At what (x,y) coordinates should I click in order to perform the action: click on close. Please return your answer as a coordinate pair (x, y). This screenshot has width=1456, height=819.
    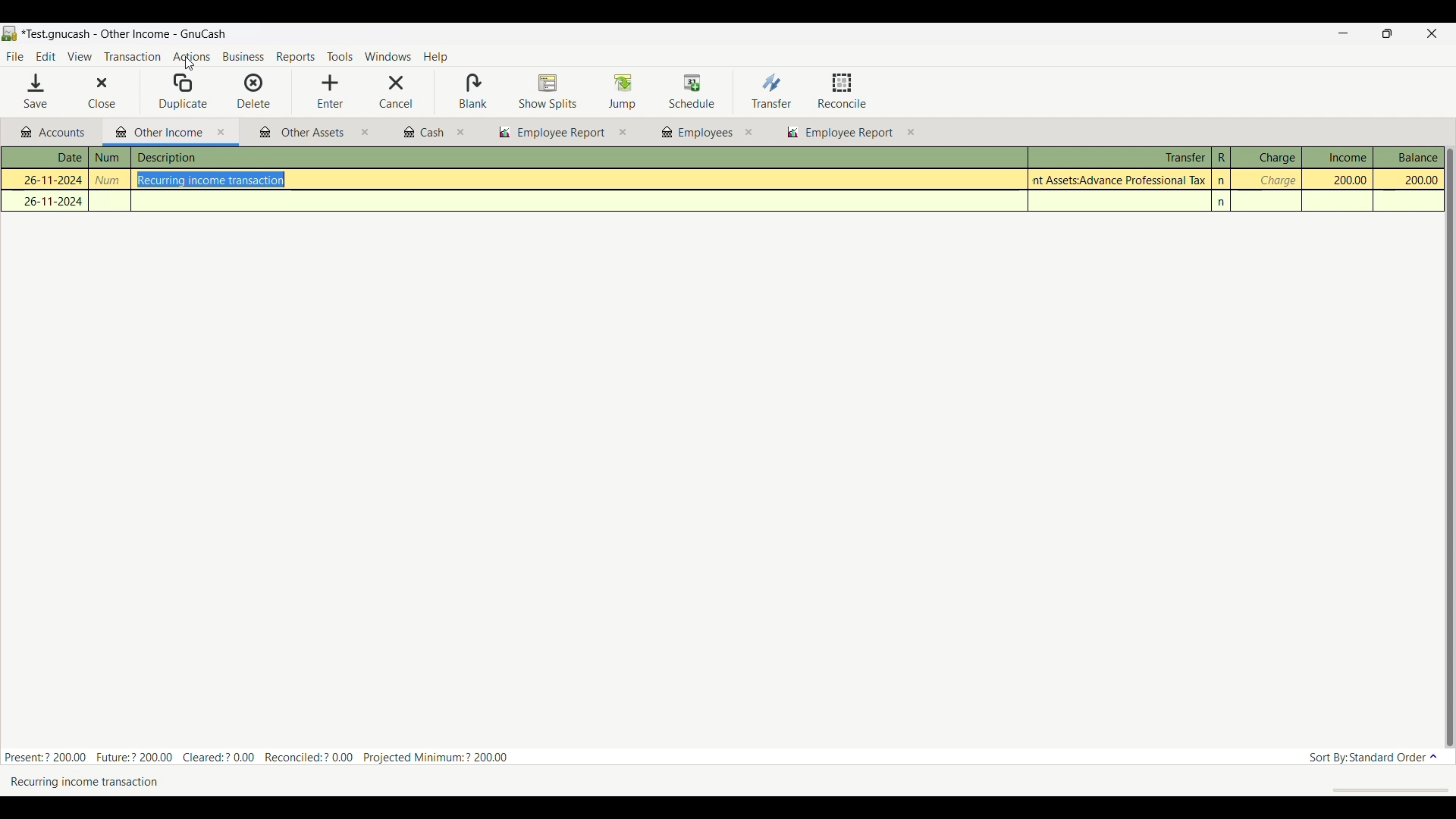
    Looking at the image, I should click on (365, 134).